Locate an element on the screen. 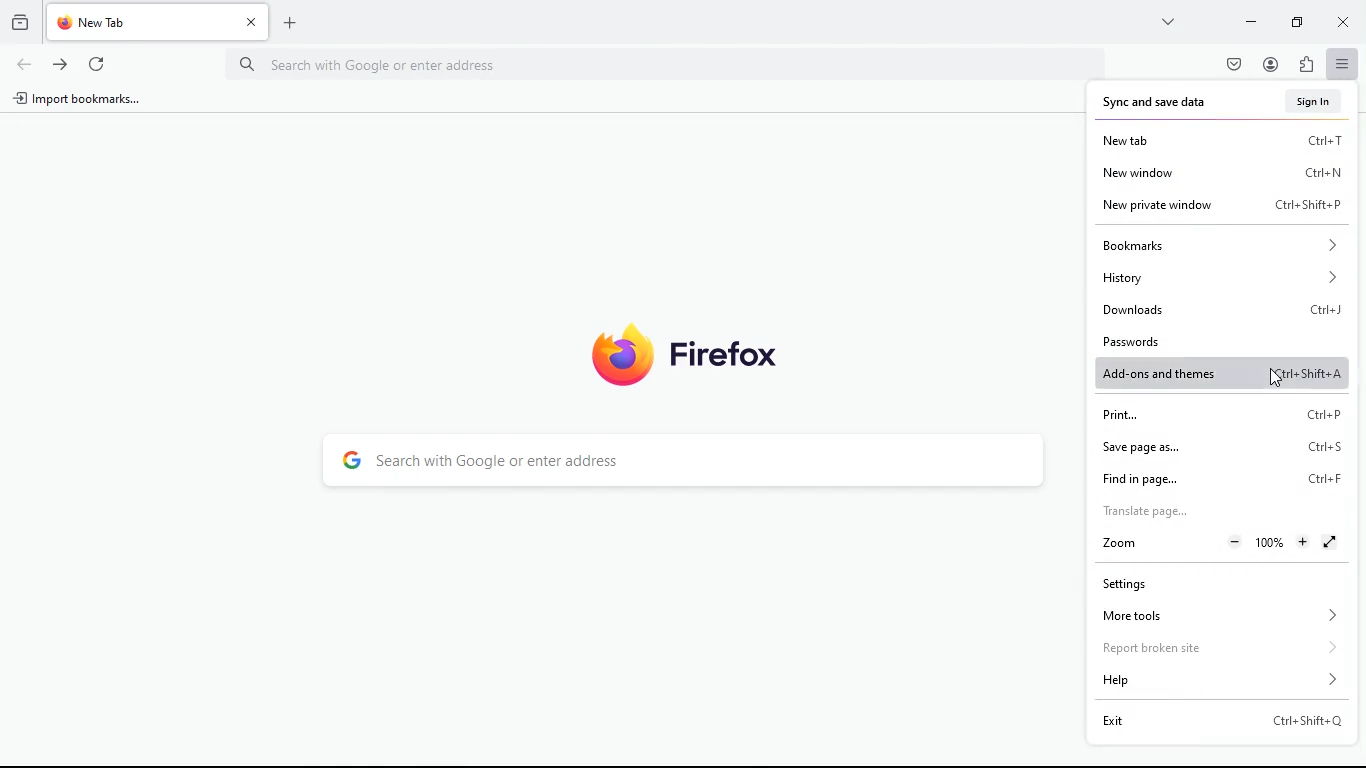 The image size is (1366, 768). translate page is located at coordinates (1204, 509).